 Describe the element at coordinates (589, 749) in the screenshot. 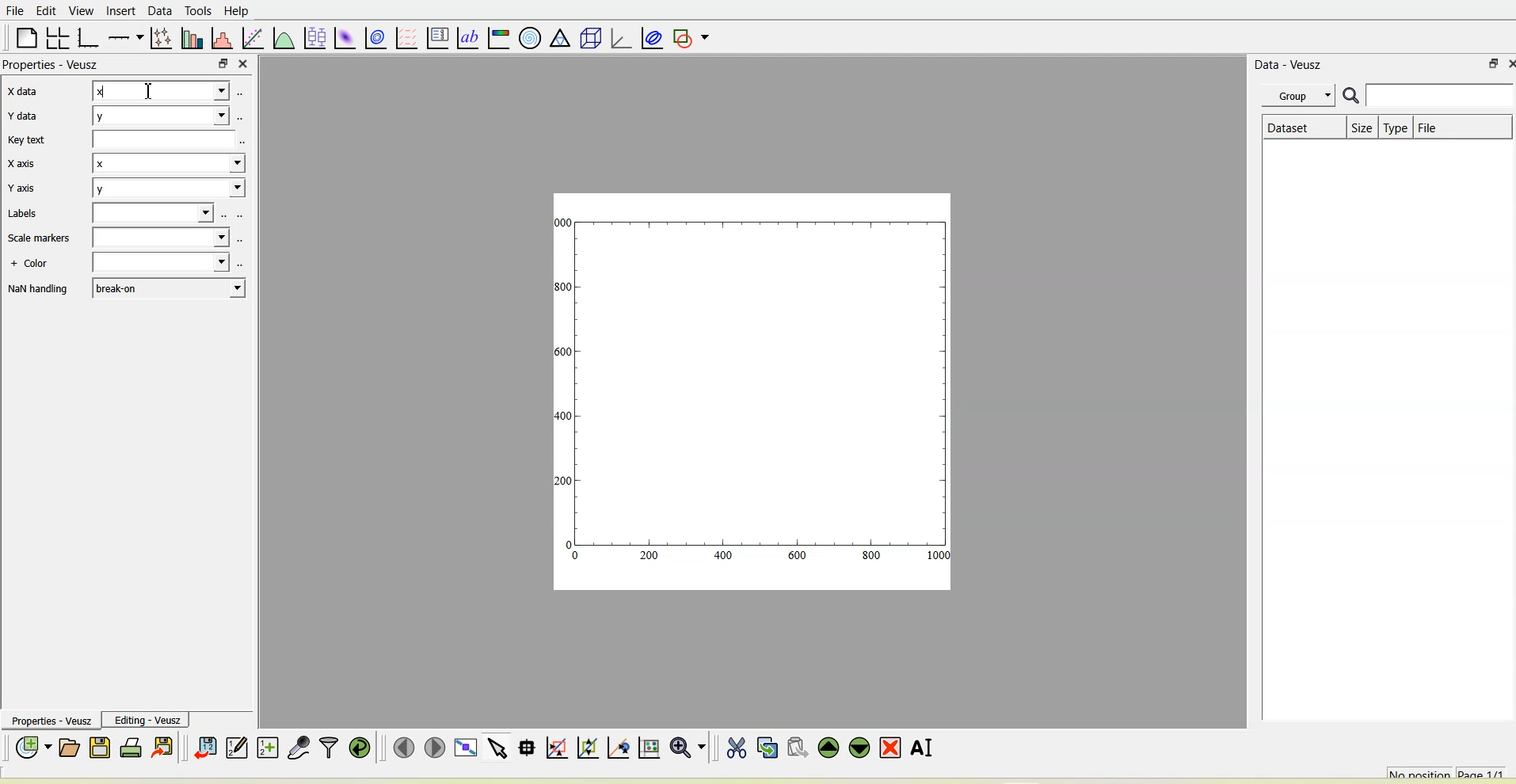

I see `Click to zoom out of graph axes` at that location.